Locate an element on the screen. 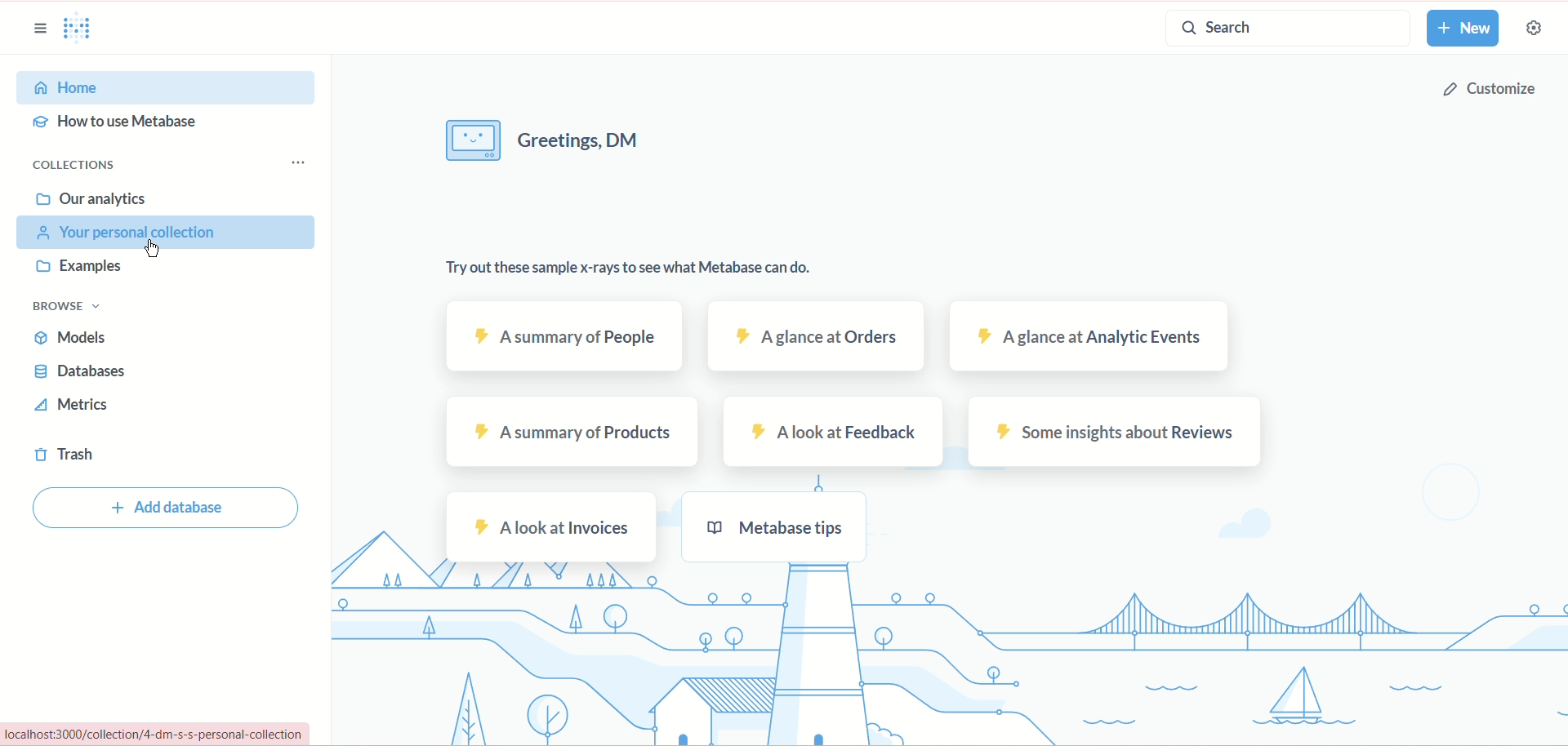 The image size is (1568, 746). search is located at coordinates (1288, 28).